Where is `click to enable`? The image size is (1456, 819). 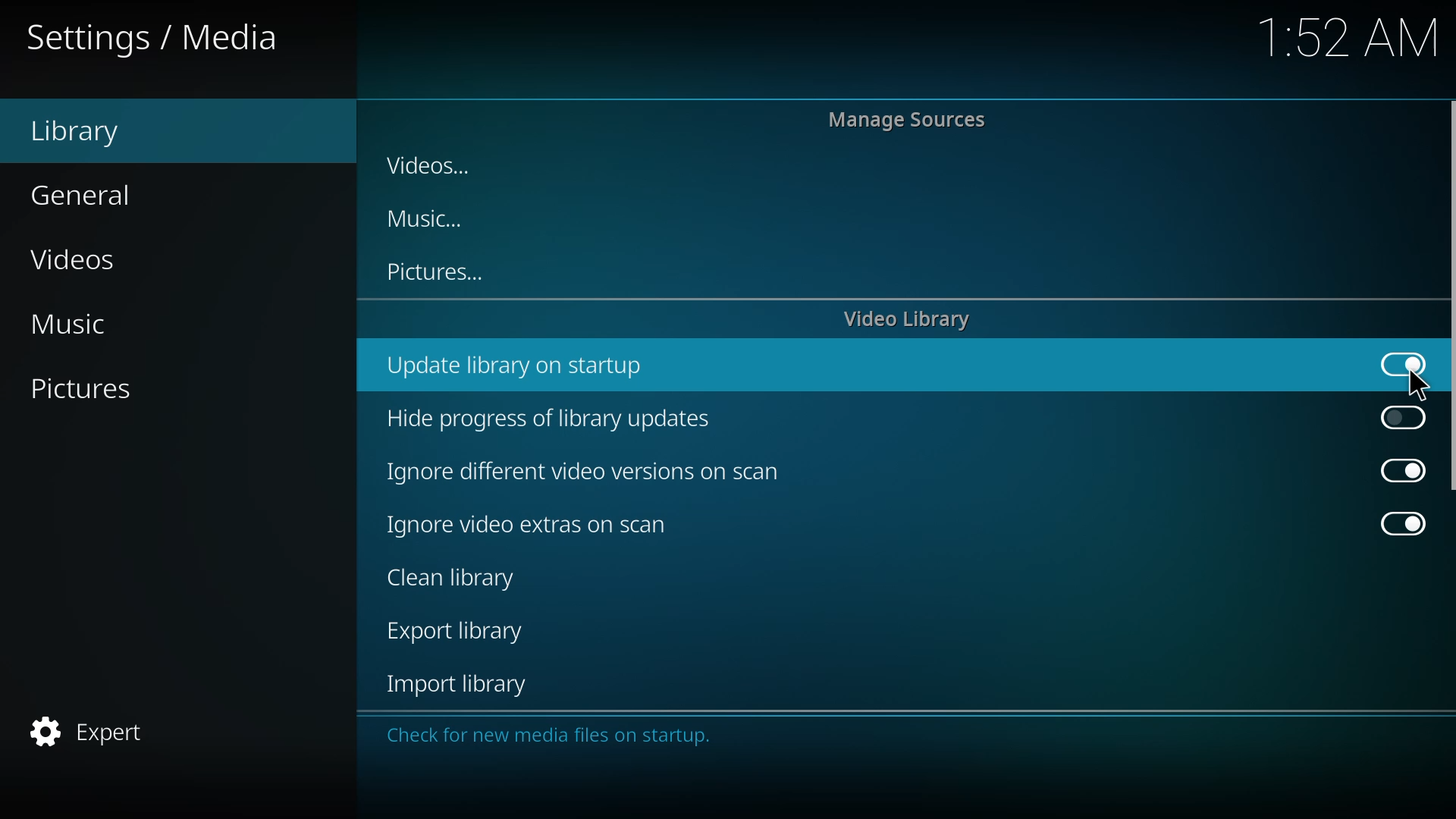 click to enable is located at coordinates (1400, 417).